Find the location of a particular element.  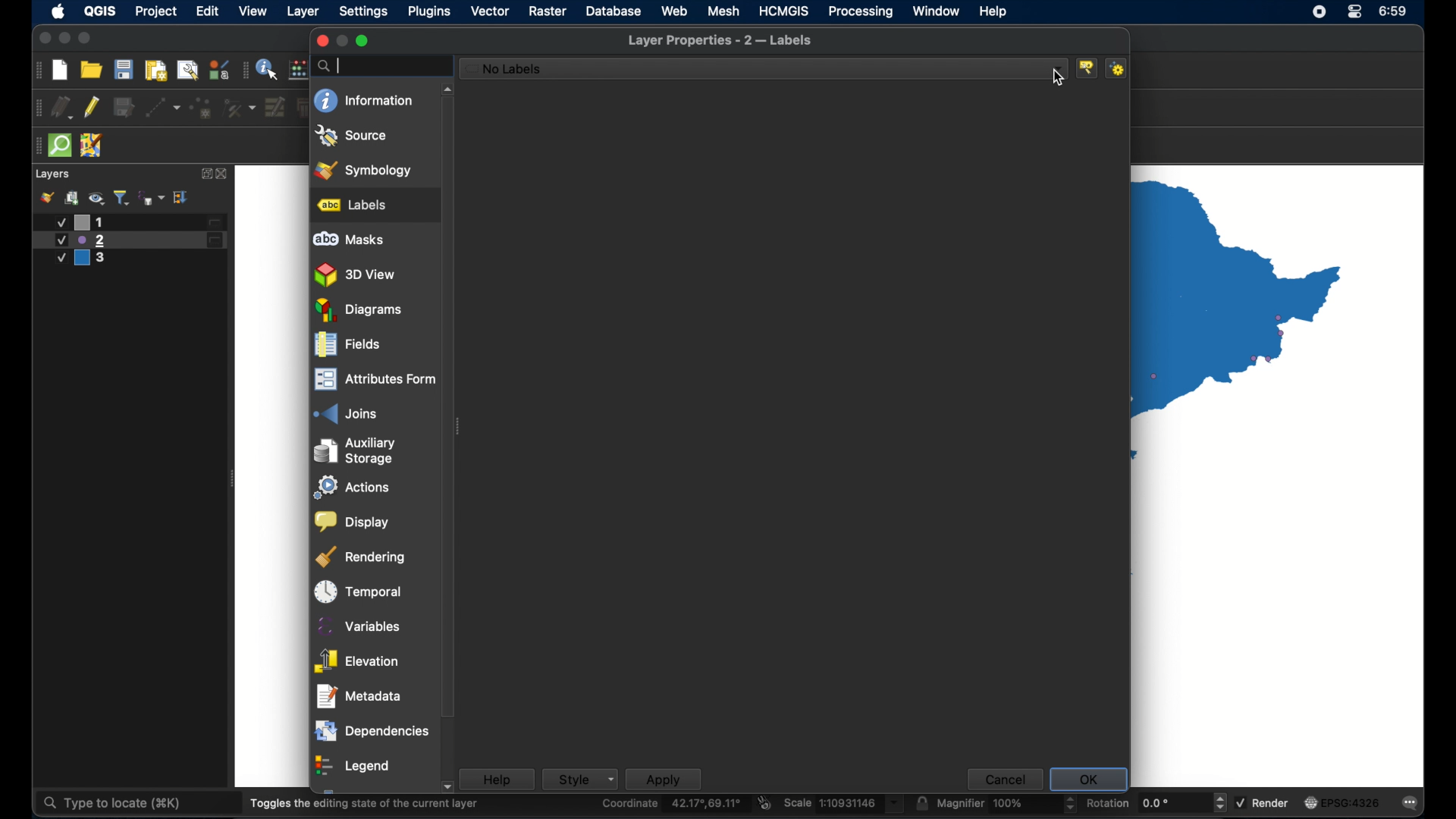

diagrams is located at coordinates (359, 310).